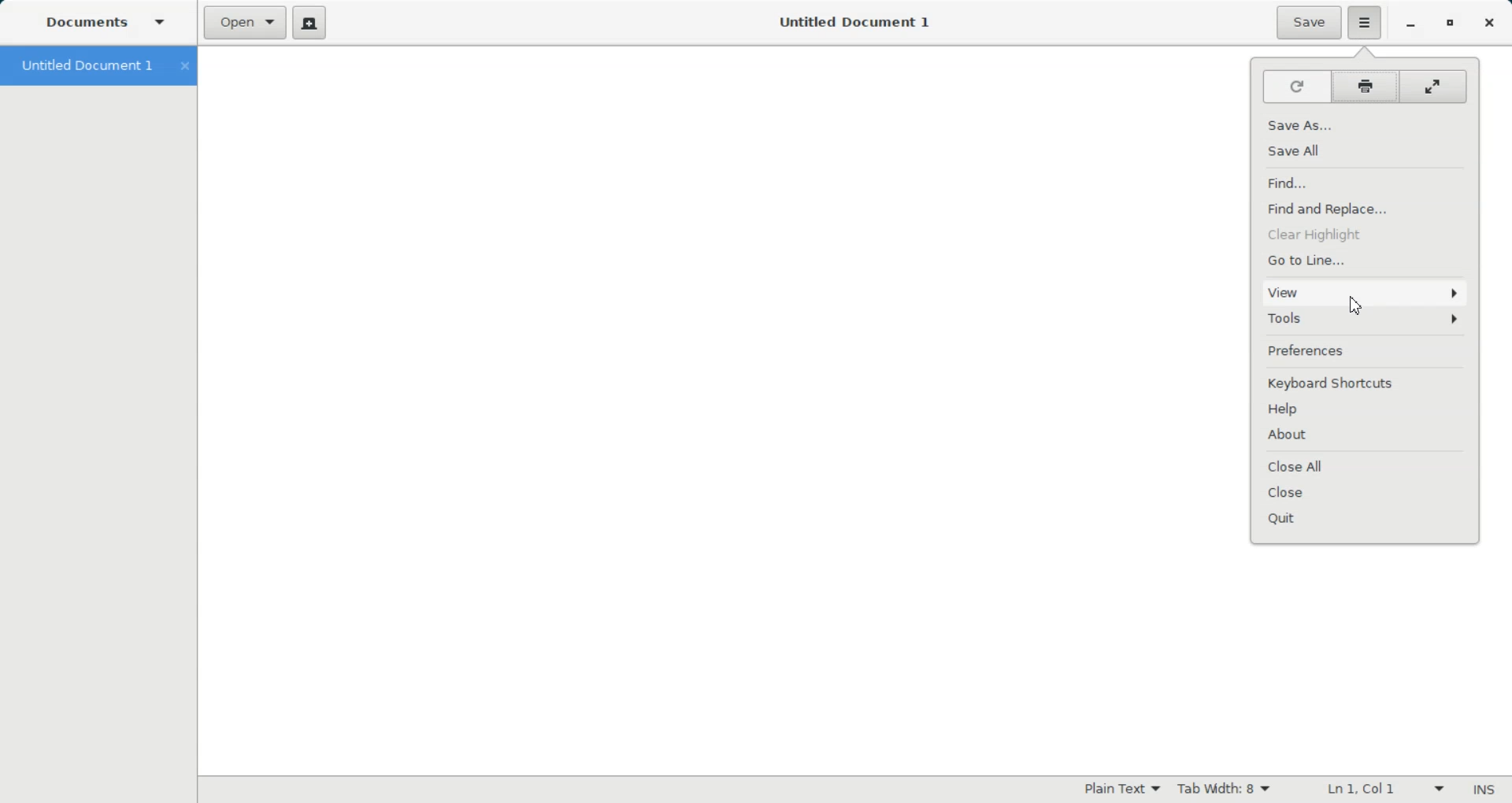  I want to click on Minimize, so click(1412, 24).